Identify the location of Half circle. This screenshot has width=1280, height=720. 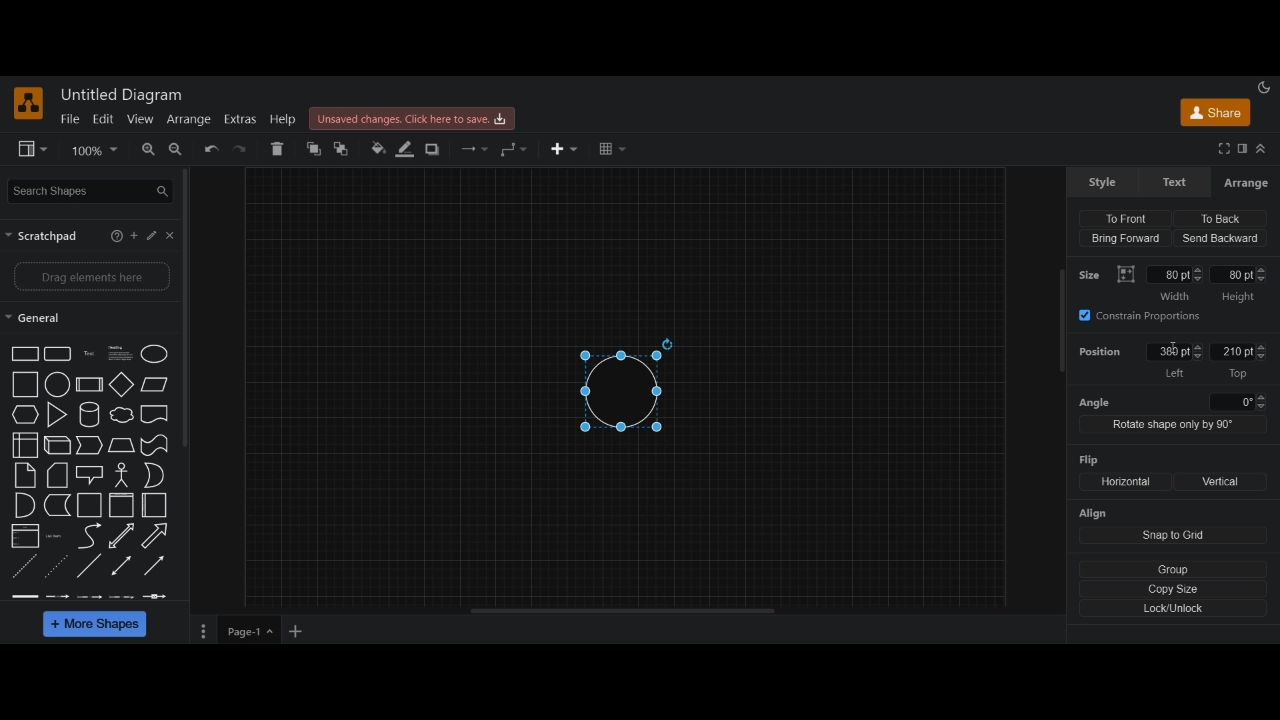
(25, 505).